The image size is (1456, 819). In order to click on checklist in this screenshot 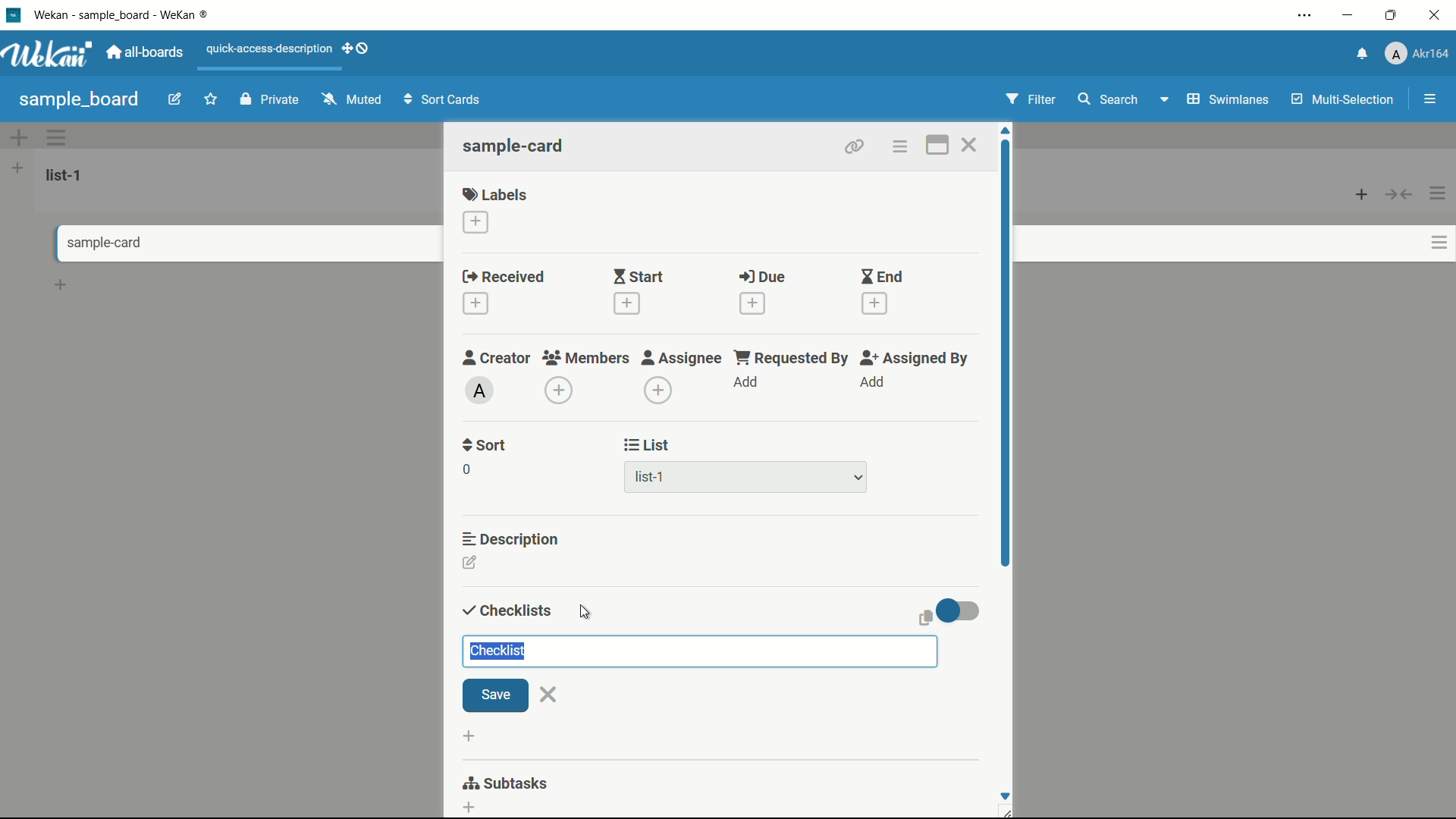, I will do `click(504, 611)`.